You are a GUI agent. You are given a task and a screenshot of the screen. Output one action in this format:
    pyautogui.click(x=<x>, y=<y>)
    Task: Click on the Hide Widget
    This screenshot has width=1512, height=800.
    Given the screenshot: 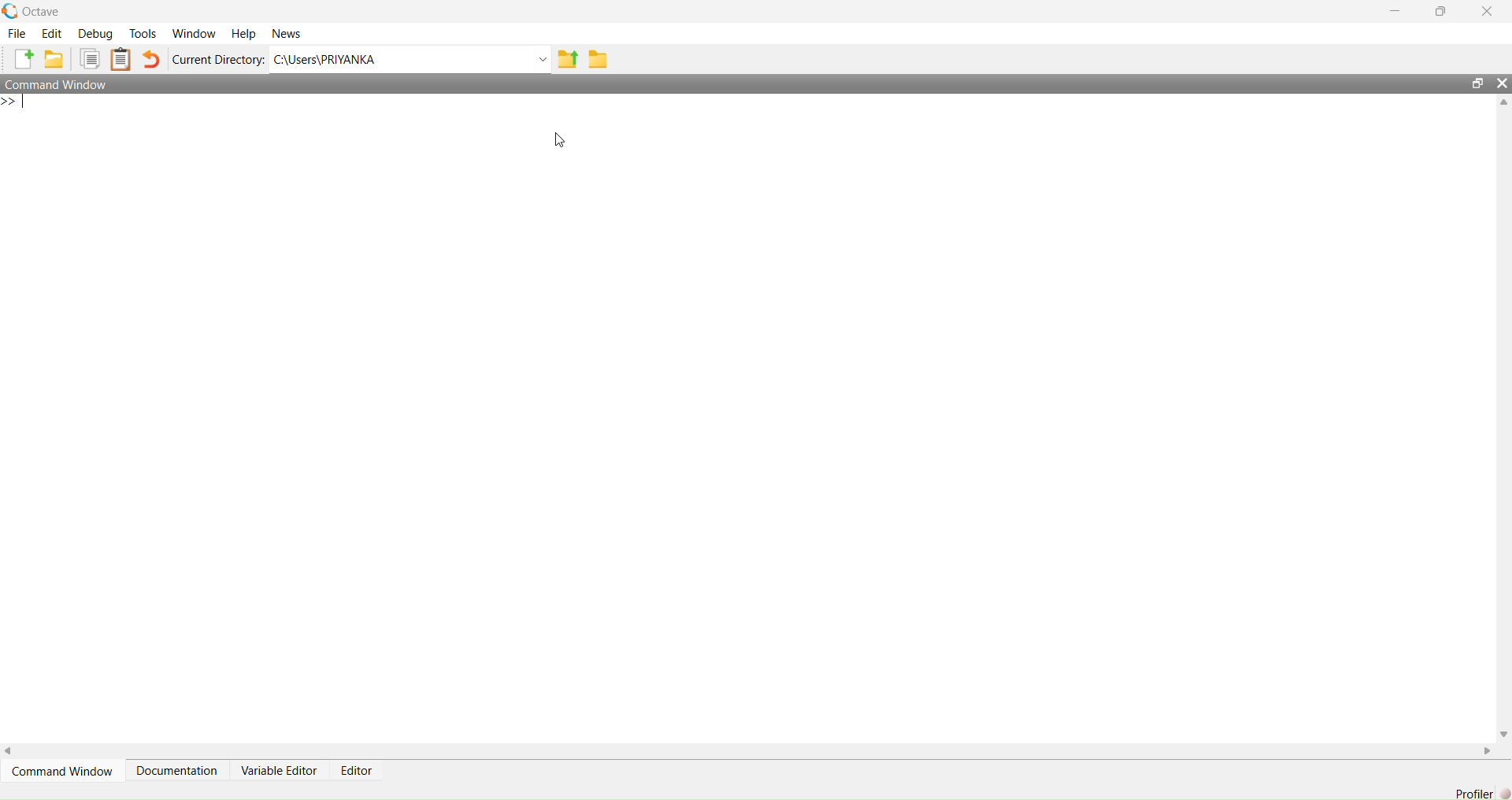 What is the action you would take?
    pyautogui.click(x=1502, y=83)
    